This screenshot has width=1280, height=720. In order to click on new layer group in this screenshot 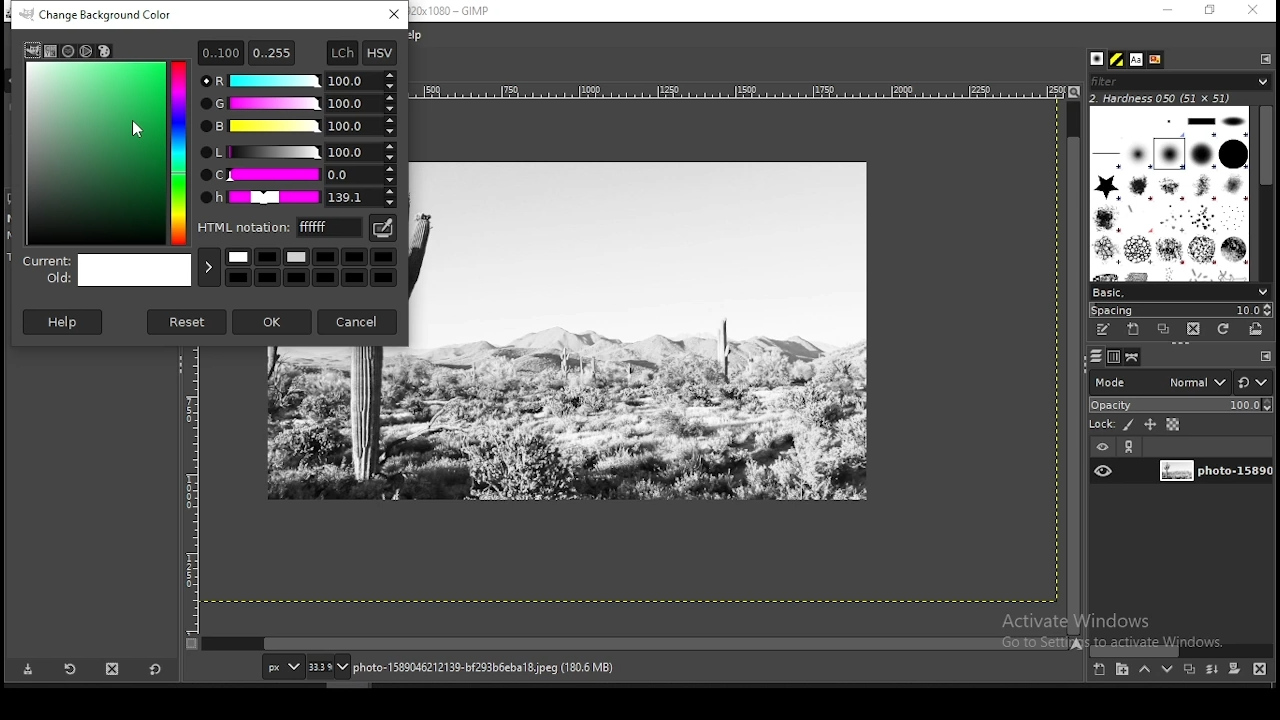, I will do `click(1121, 670)`.